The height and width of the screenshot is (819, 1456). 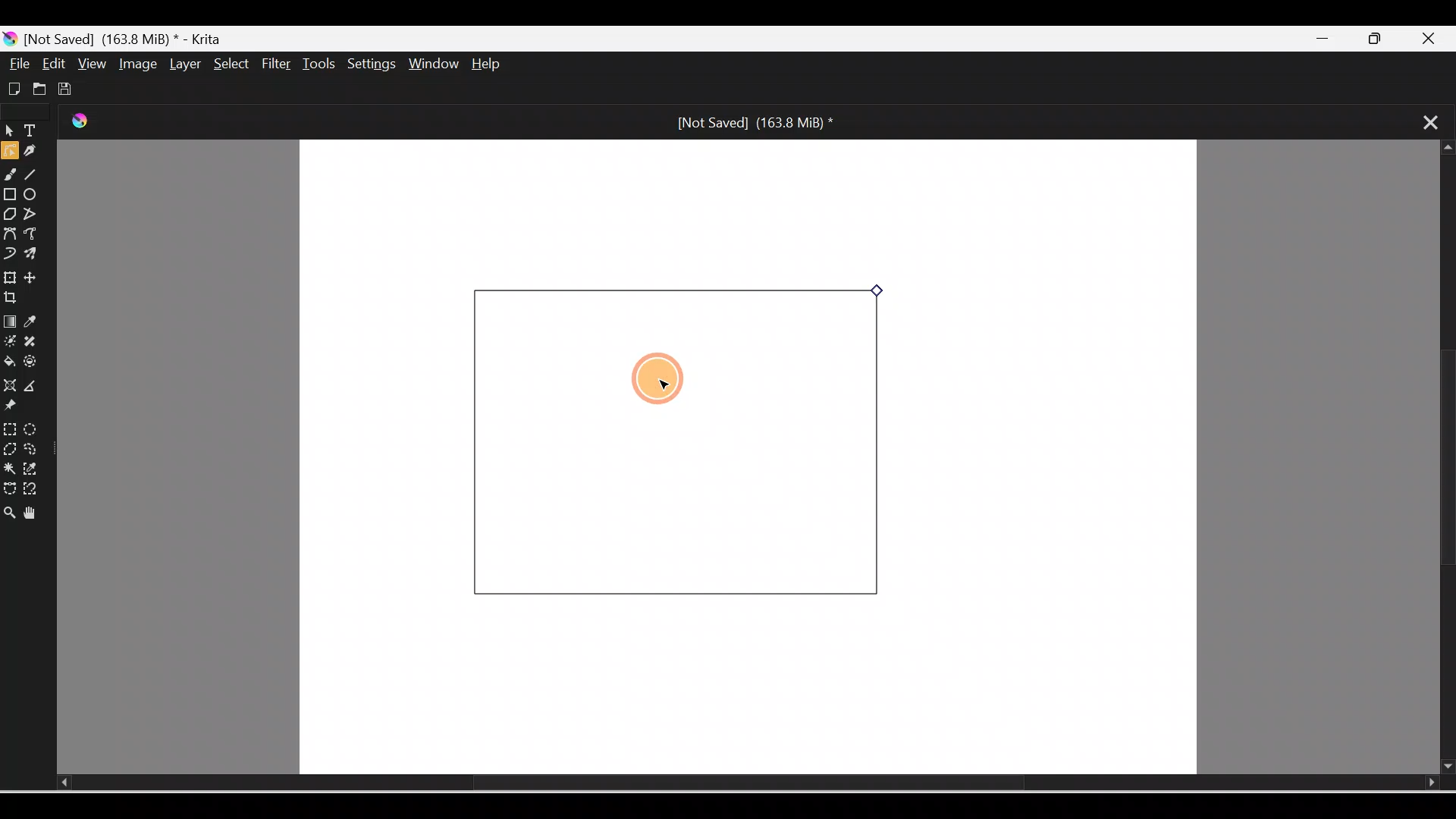 What do you see at coordinates (20, 64) in the screenshot?
I see `File` at bounding box center [20, 64].